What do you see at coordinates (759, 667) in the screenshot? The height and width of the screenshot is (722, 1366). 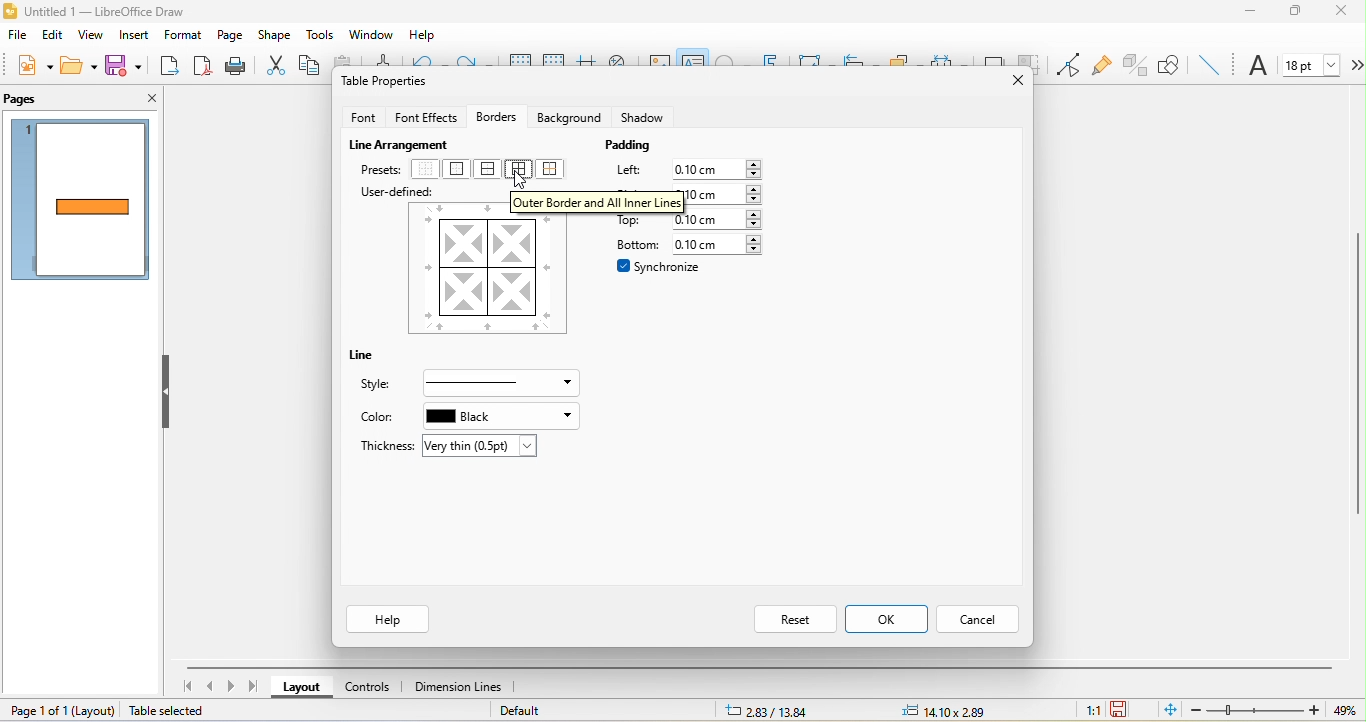 I see `horizontal scroll bar` at bounding box center [759, 667].